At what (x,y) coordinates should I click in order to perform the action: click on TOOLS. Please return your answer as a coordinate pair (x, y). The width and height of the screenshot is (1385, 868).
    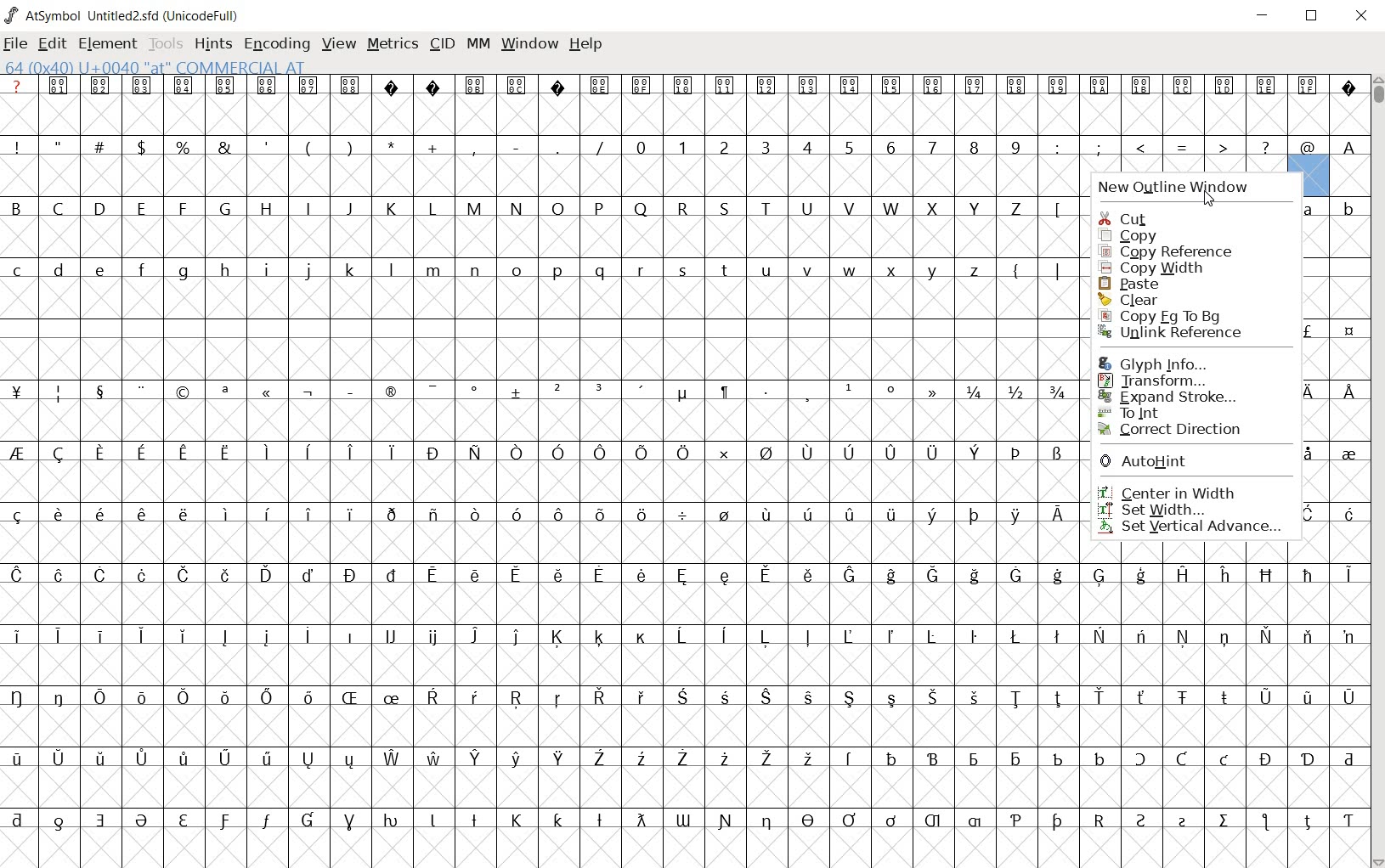
    Looking at the image, I should click on (165, 45).